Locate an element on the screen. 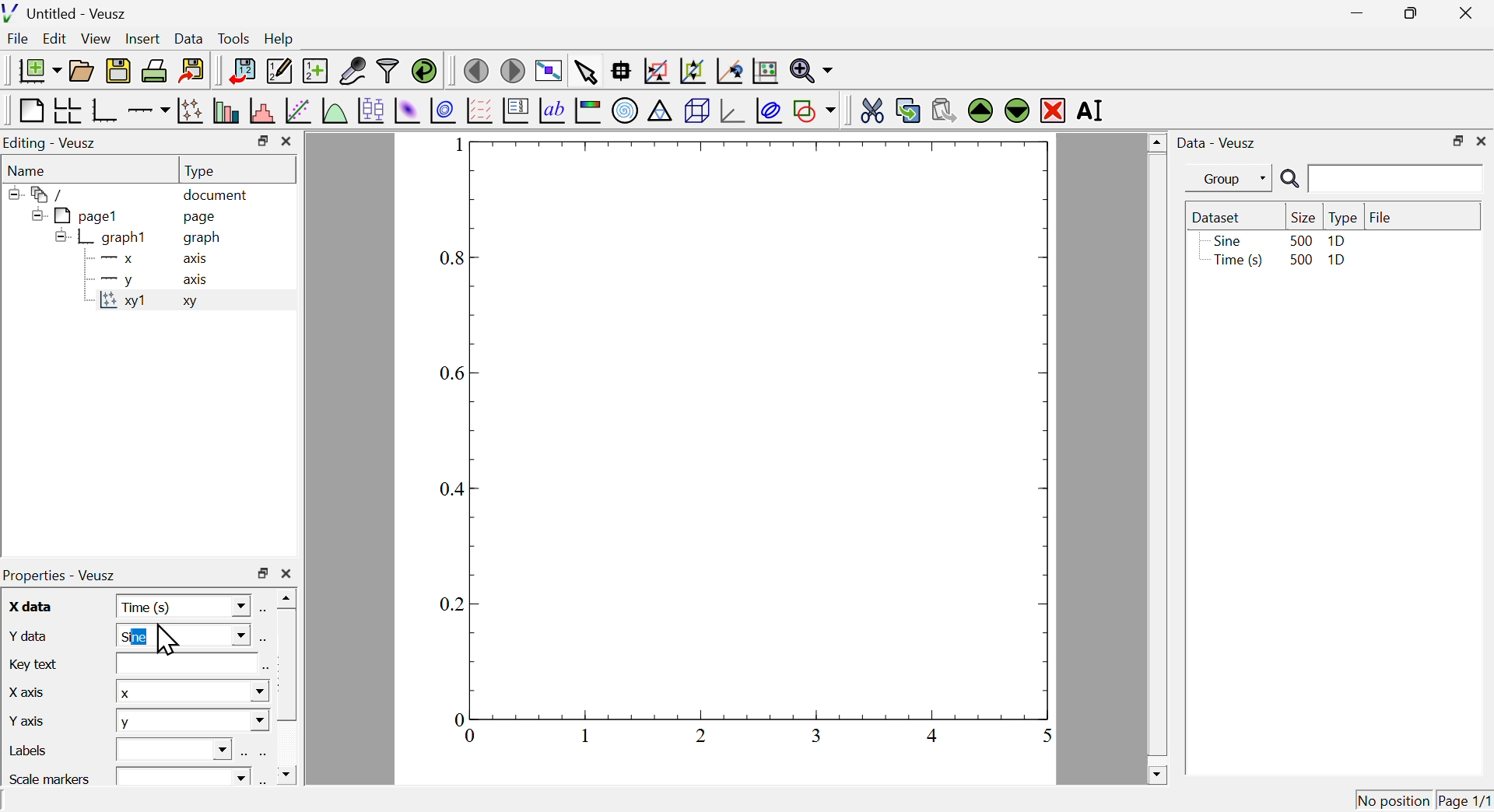  dataset is located at coordinates (1220, 217).